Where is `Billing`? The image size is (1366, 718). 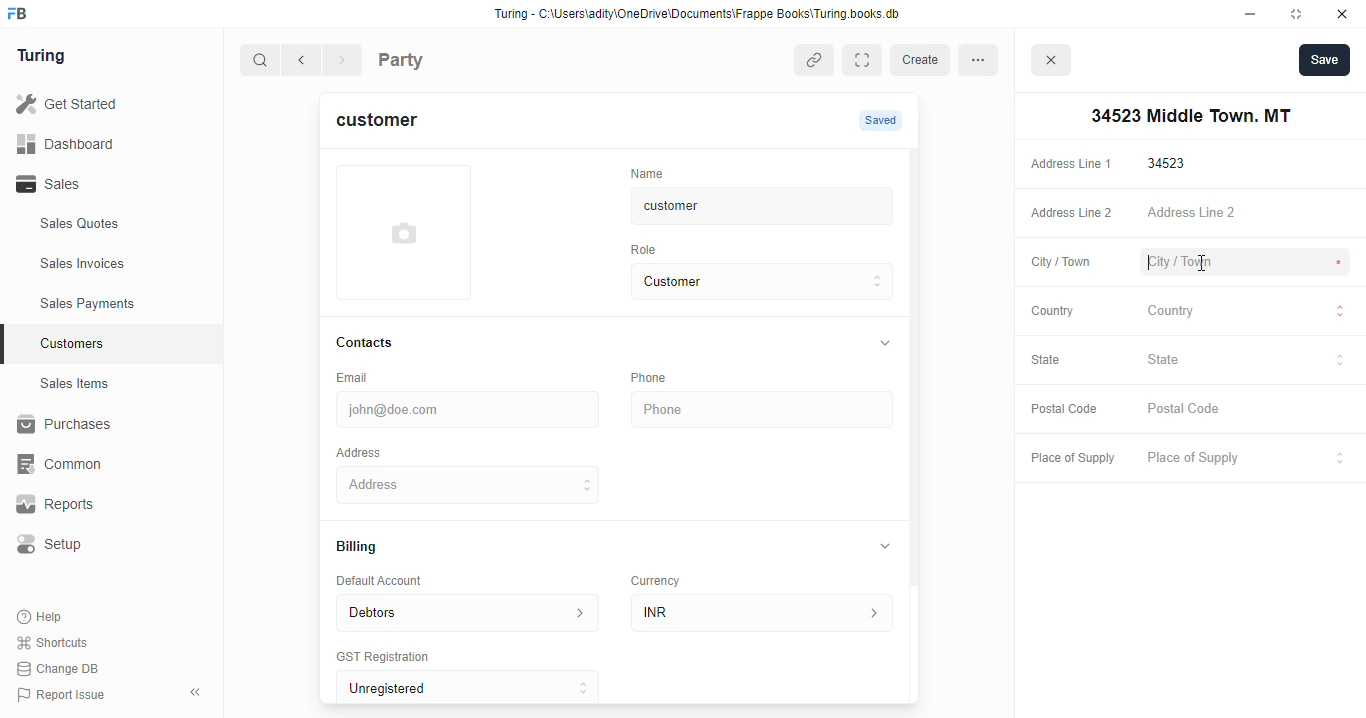
Billing is located at coordinates (366, 548).